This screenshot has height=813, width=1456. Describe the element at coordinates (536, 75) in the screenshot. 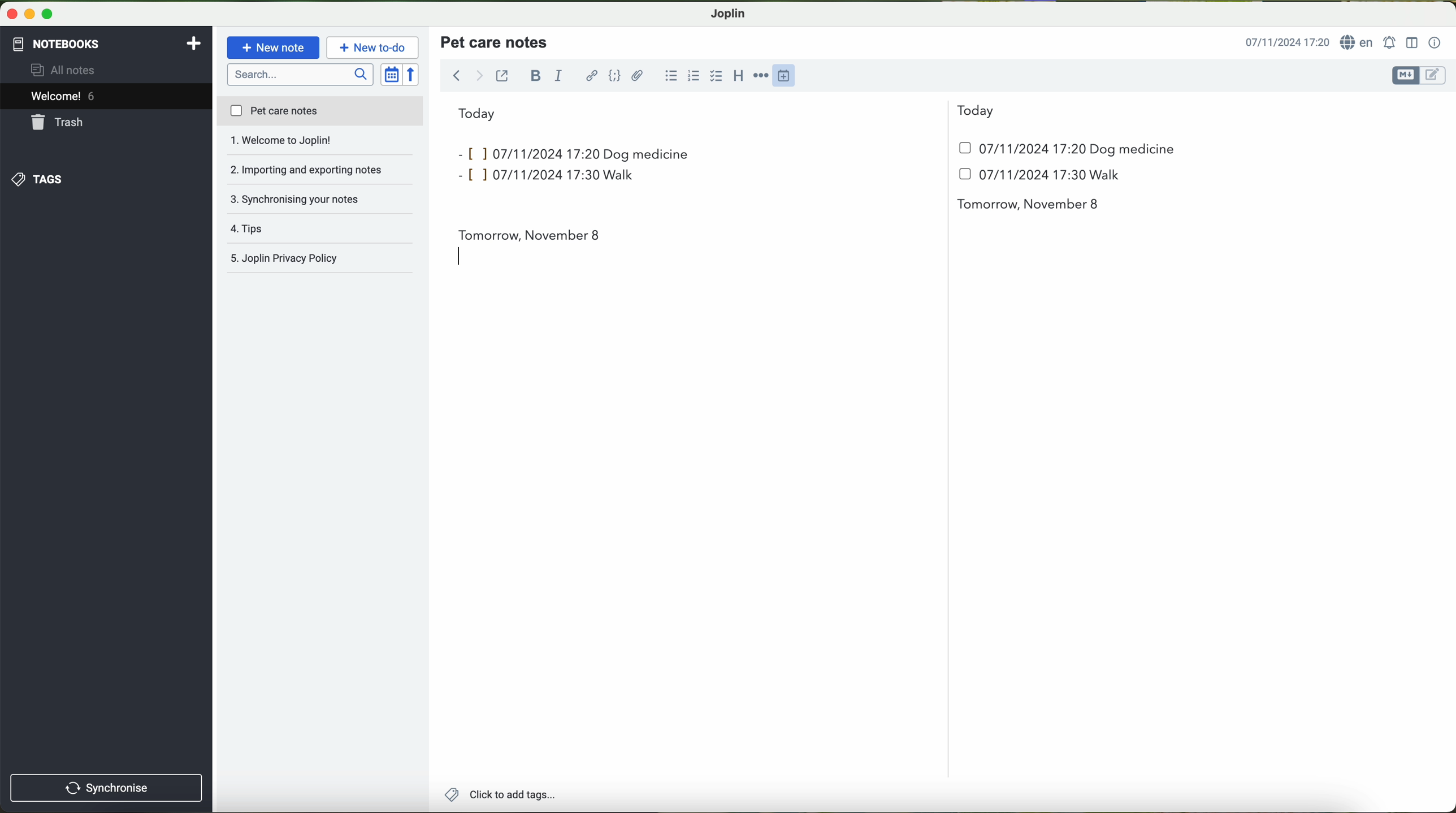

I see `bold` at that location.